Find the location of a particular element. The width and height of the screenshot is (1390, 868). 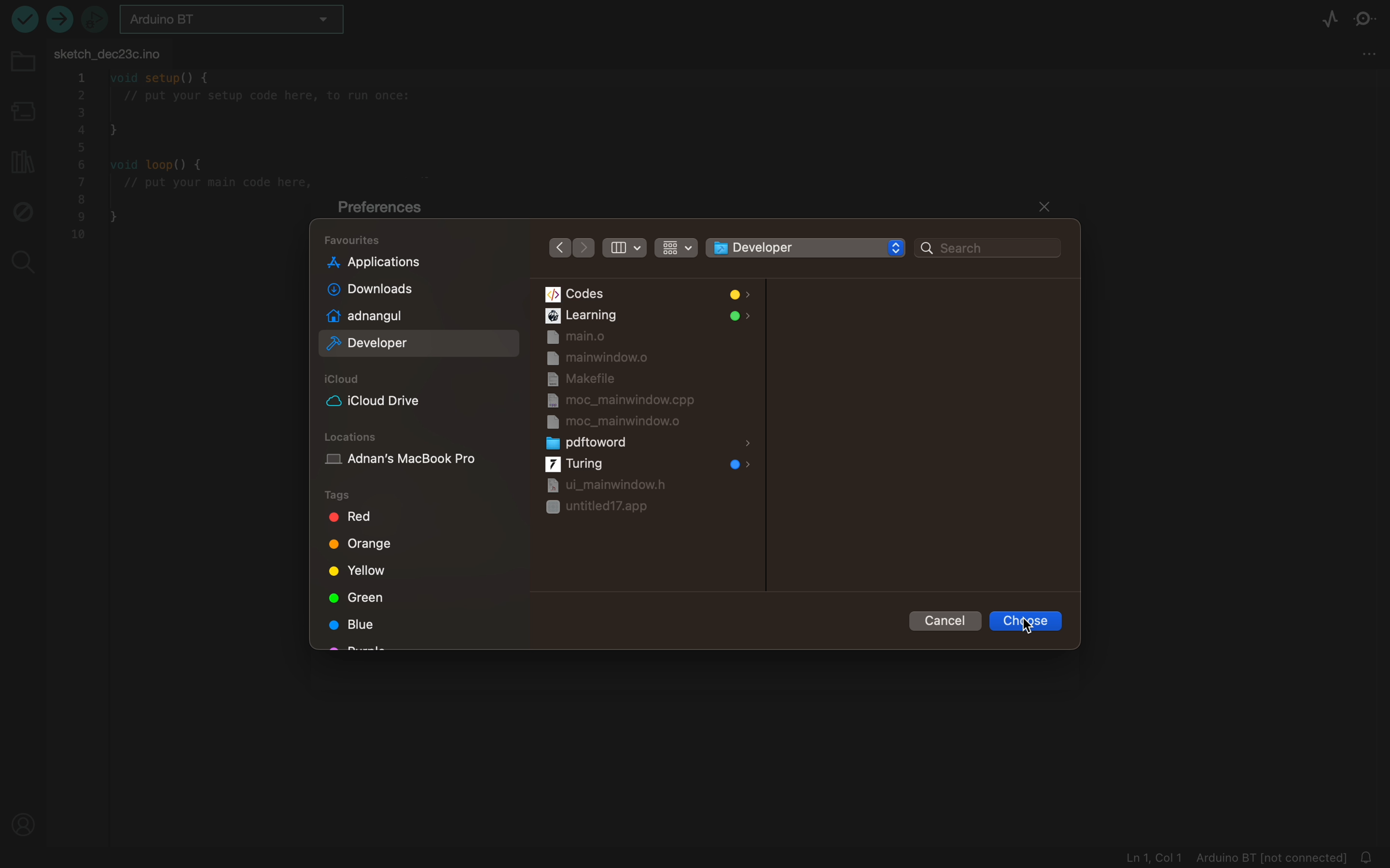

Notifications  is located at coordinates (1370, 854).